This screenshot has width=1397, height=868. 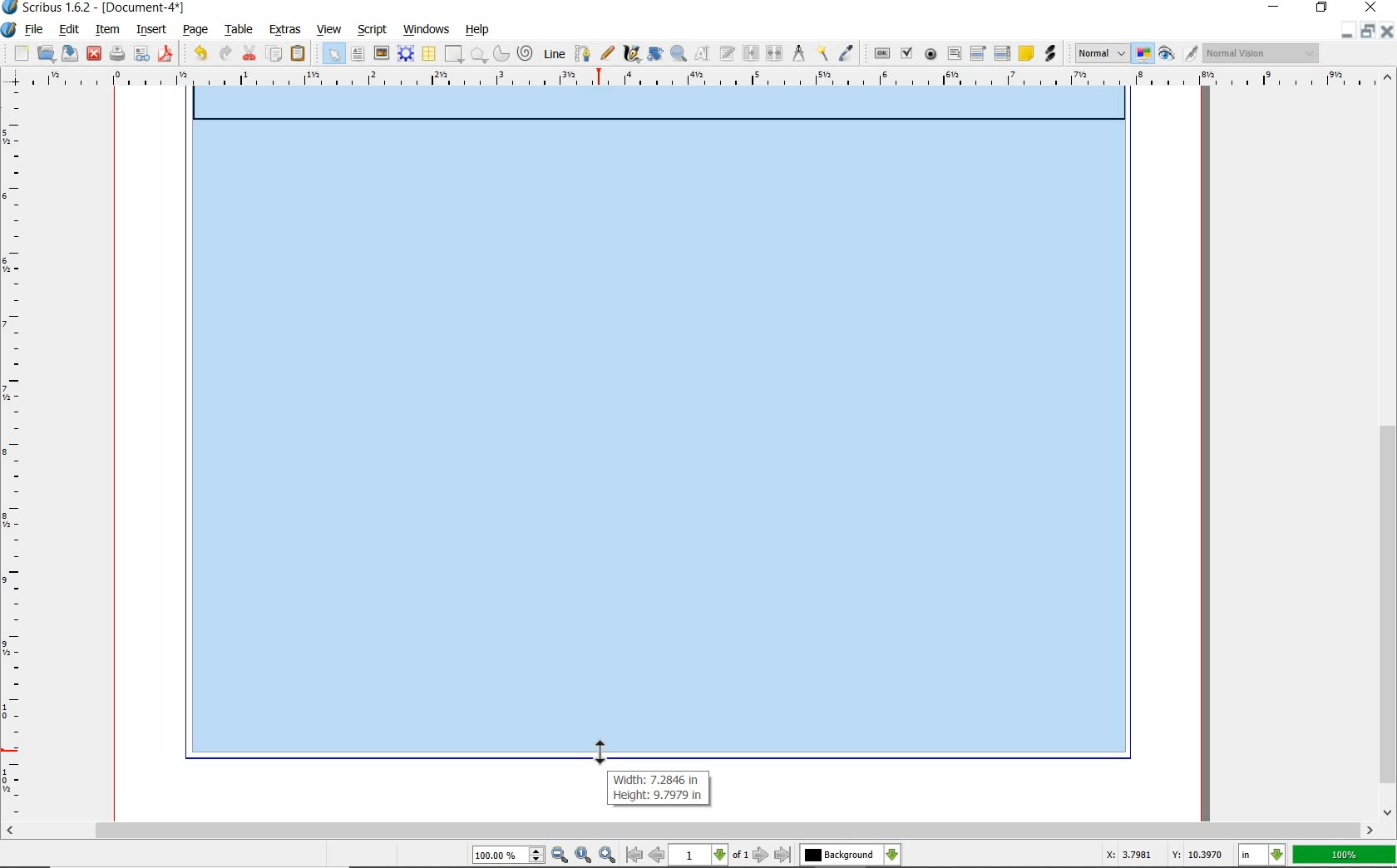 I want to click on text annotation, so click(x=1026, y=53).